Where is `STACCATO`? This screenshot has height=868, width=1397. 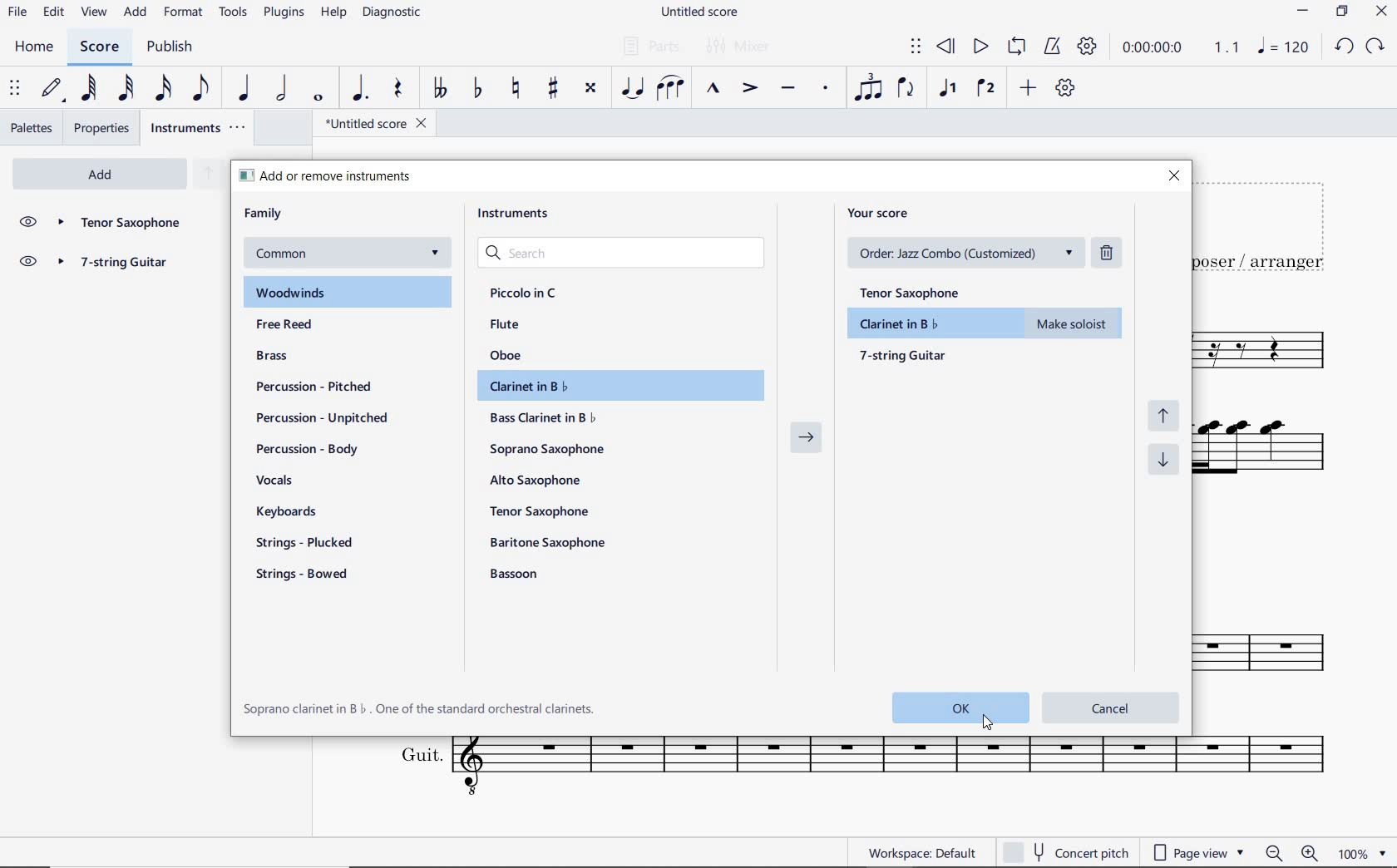 STACCATO is located at coordinates (825, 89).